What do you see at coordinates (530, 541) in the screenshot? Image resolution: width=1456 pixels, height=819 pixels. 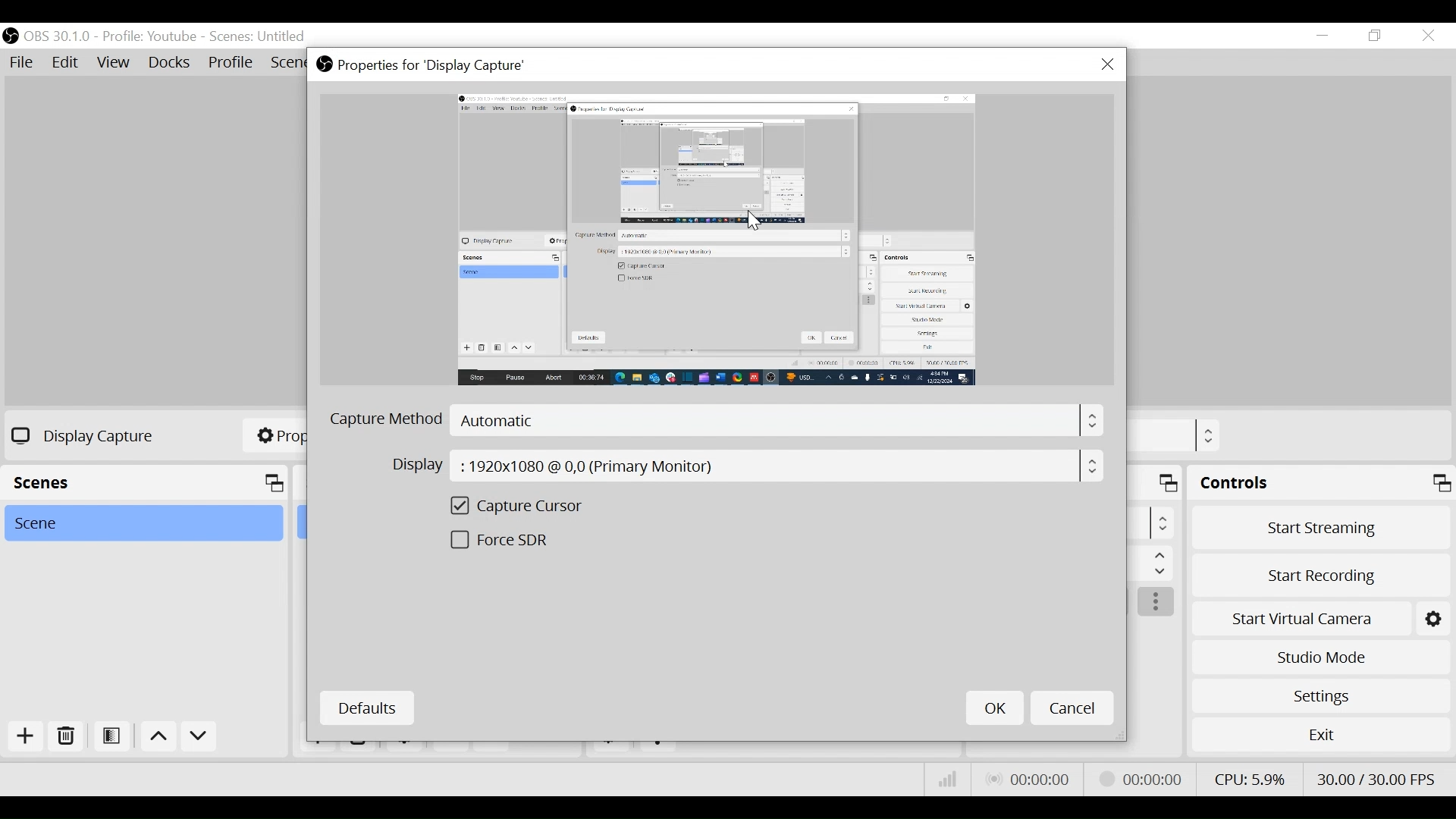 I see `(un)select Force SDR` at bounding box center [530, 541].